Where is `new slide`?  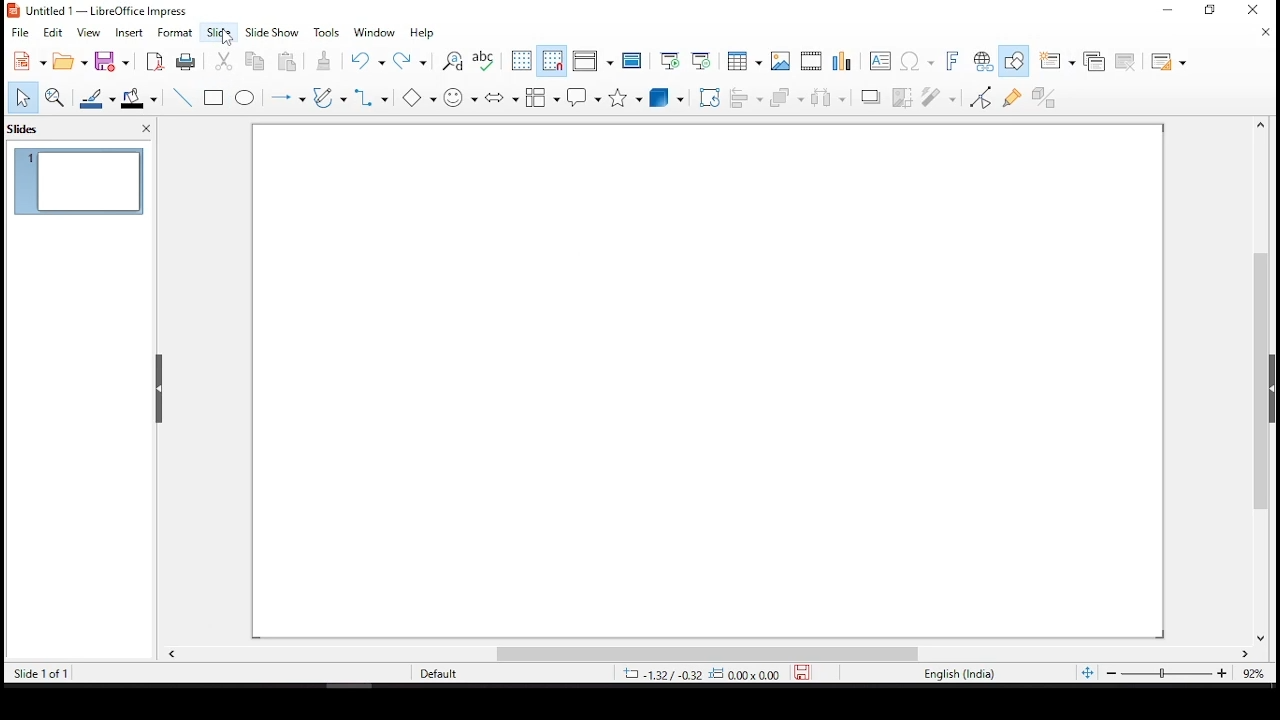 new slide is located at coordinates (1057, 59).